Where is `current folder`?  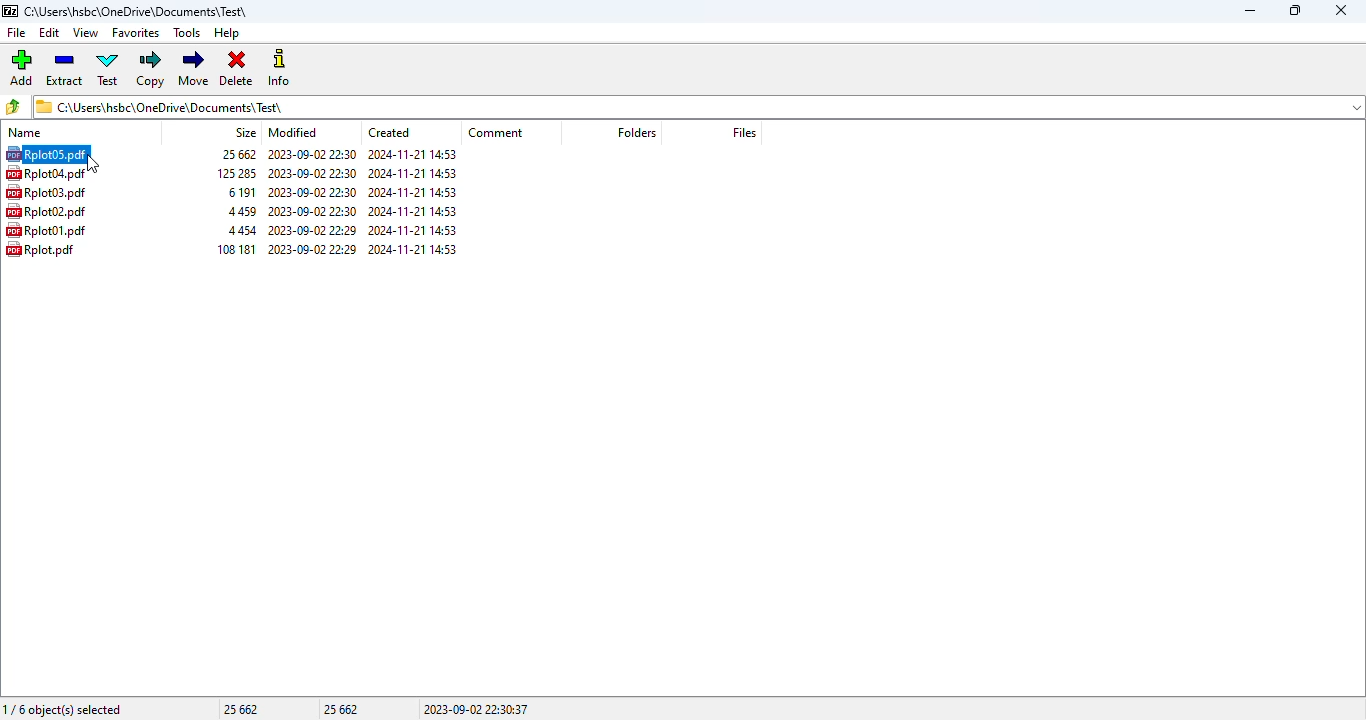 current folder is located at coordinates (698, 106).